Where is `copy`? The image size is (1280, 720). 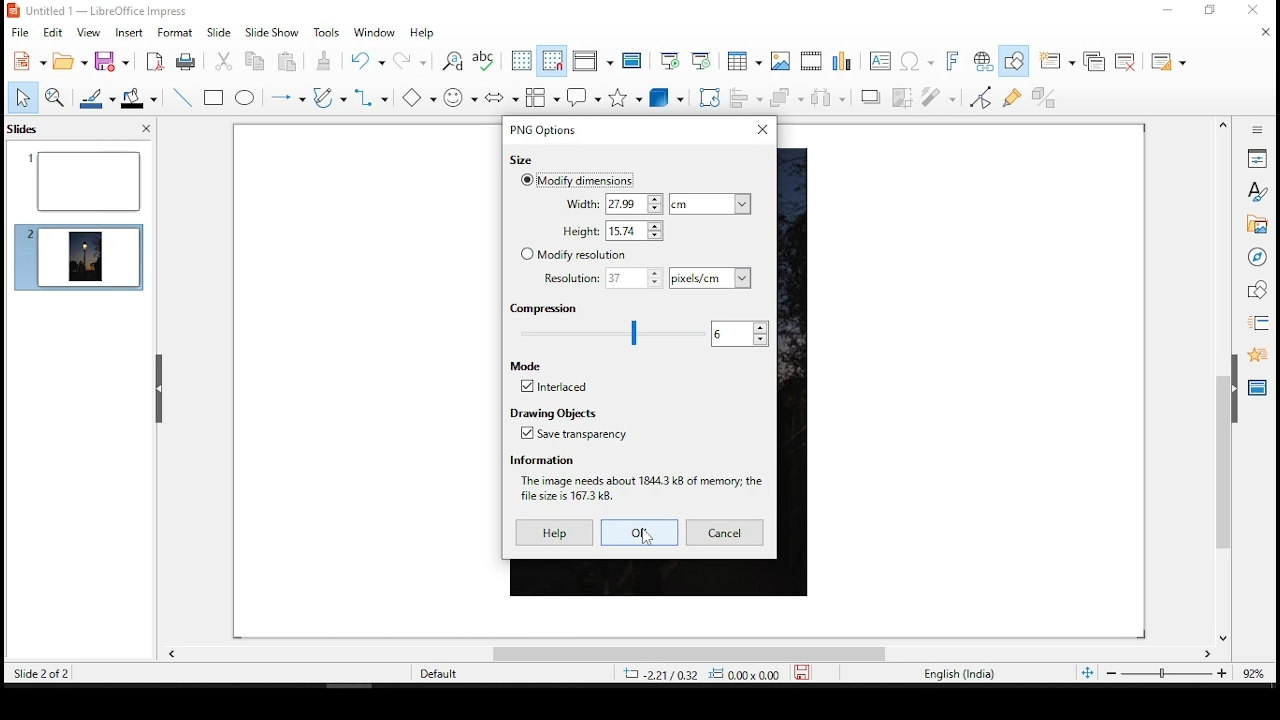 copy is located at coordinates (255, 63).